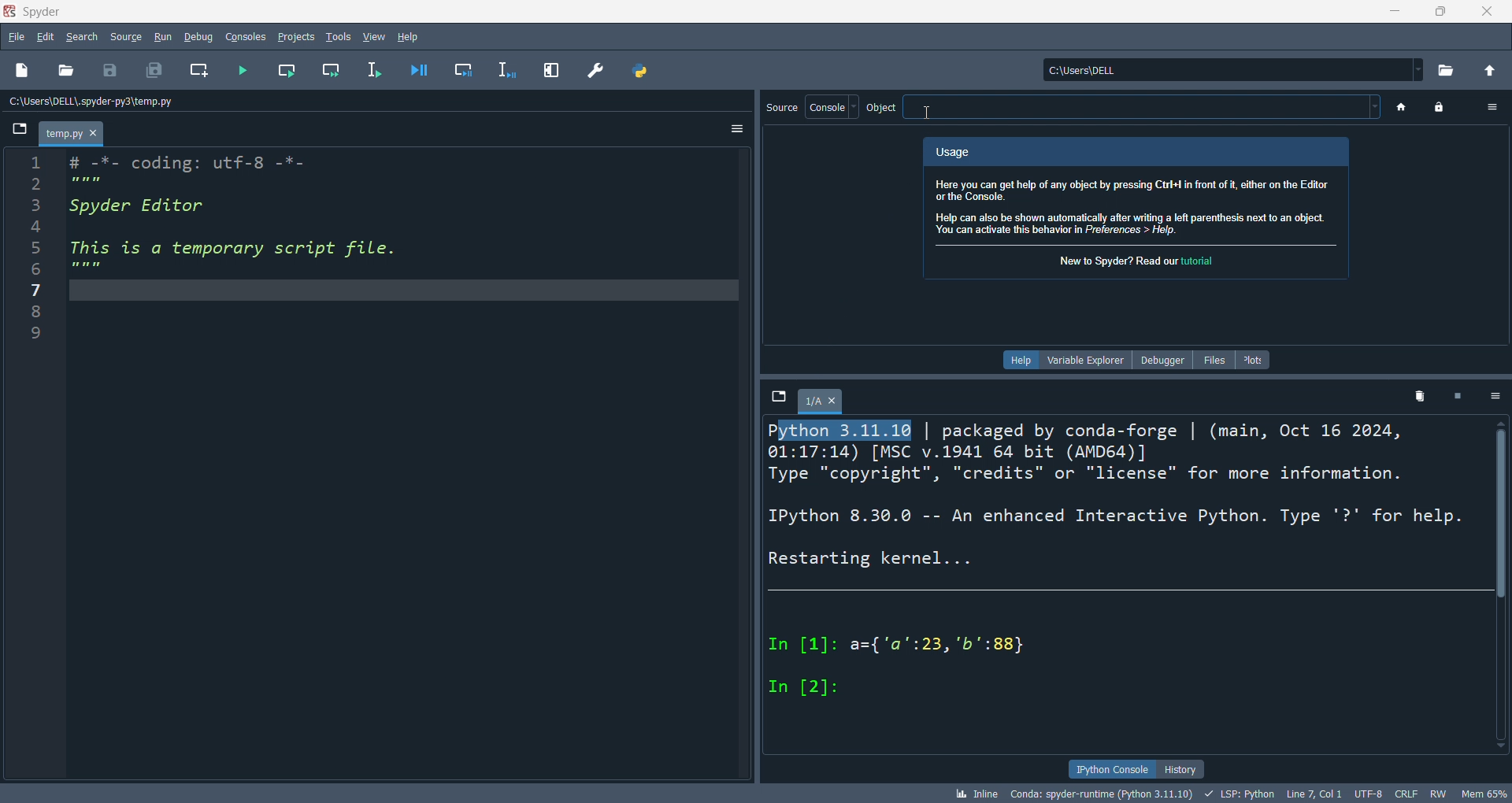  I want to click on preferences, so click(594, 72).